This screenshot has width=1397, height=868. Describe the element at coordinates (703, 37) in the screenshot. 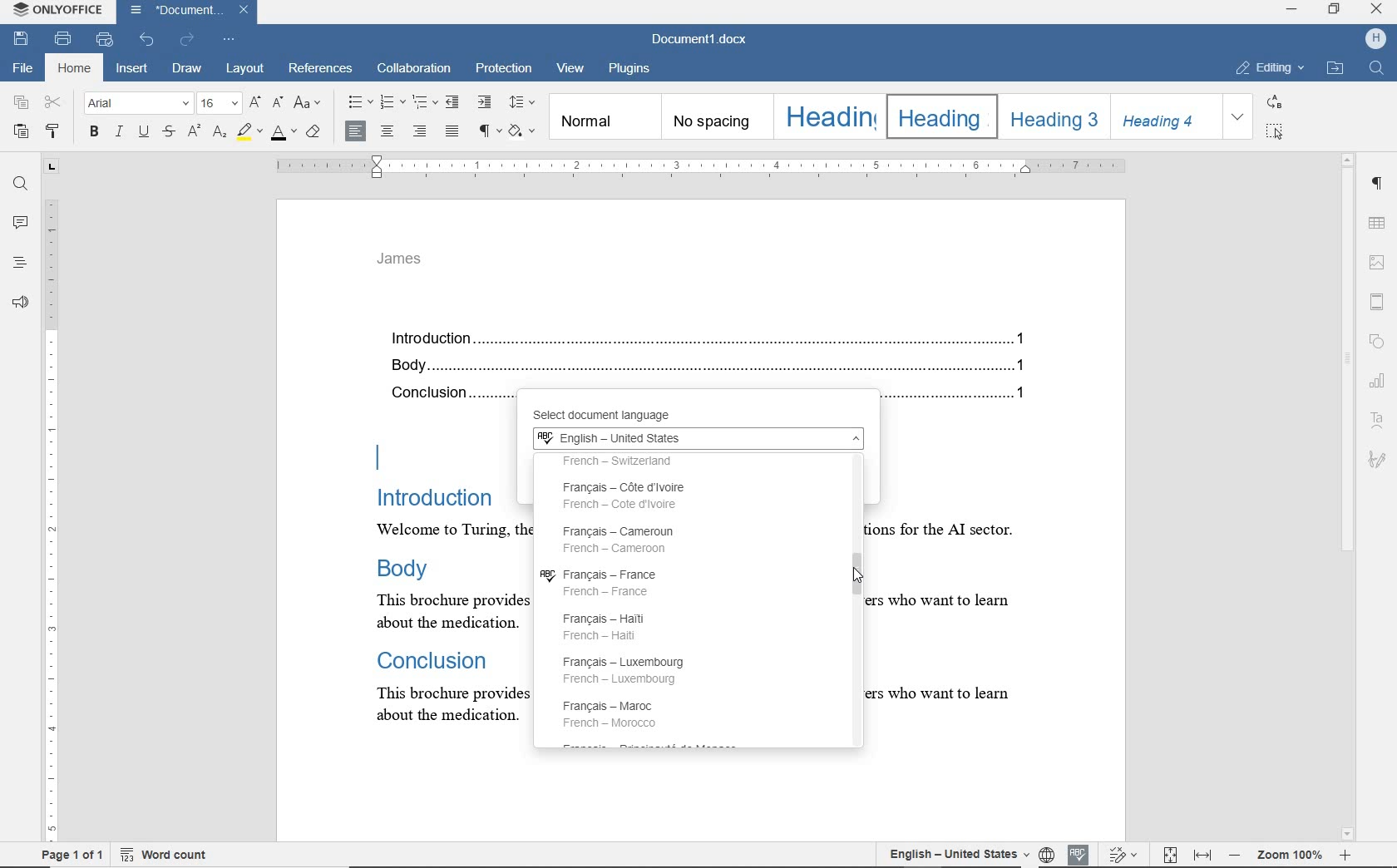

I see `document name` at that location.